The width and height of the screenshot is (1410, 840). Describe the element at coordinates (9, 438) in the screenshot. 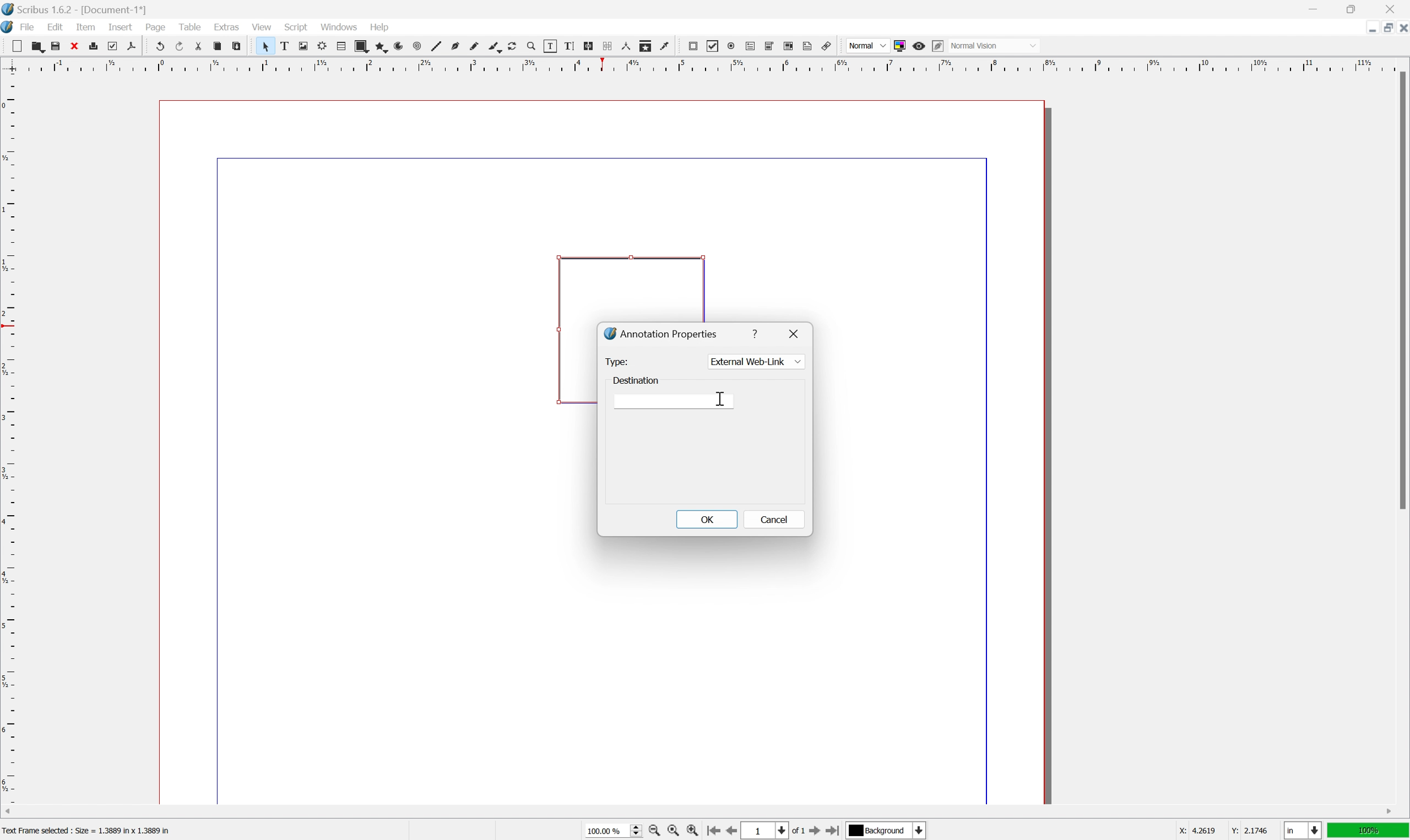

I see `ruler` at that location.